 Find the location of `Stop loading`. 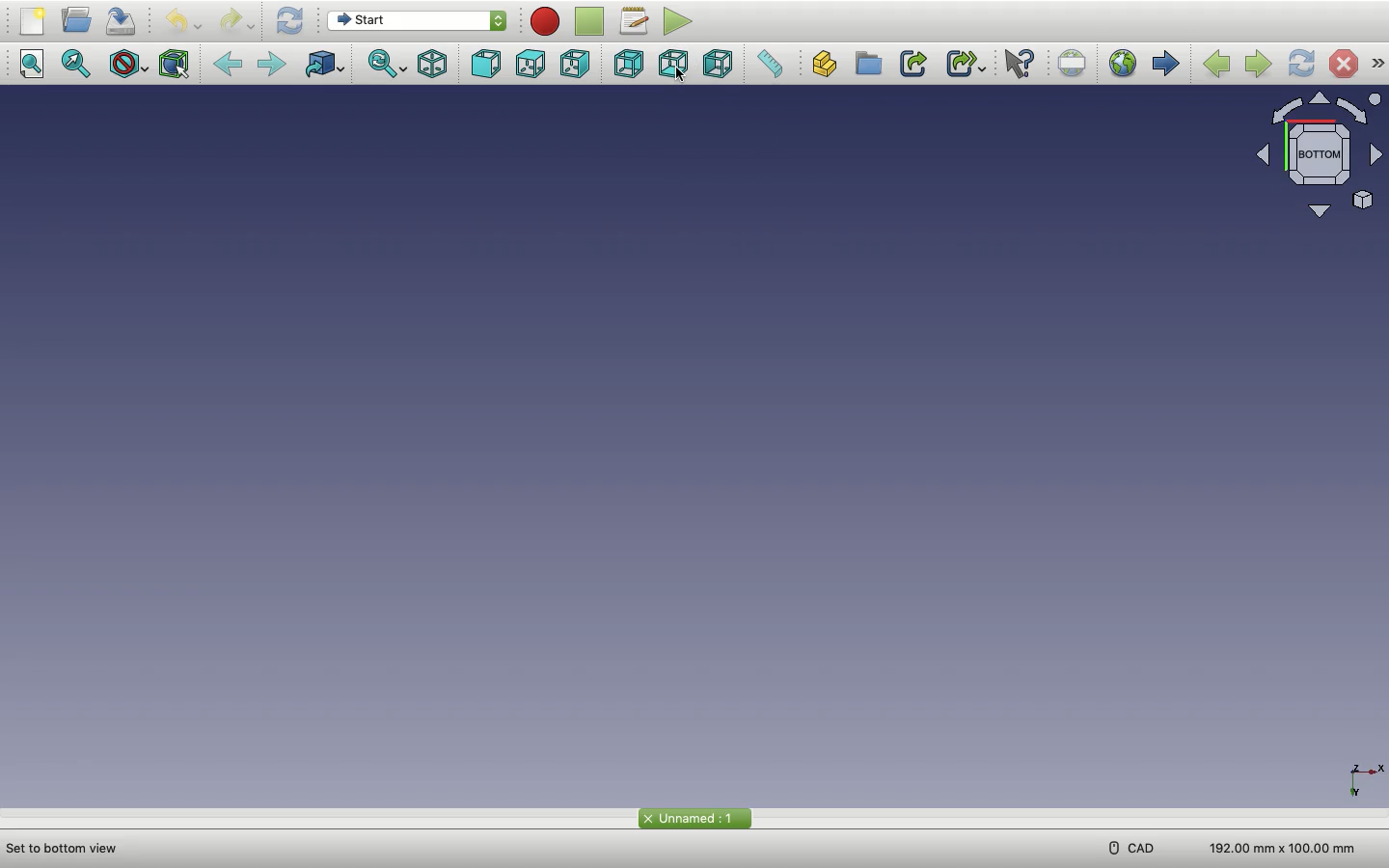

Stop loading is located at coordinates (1344, 64).